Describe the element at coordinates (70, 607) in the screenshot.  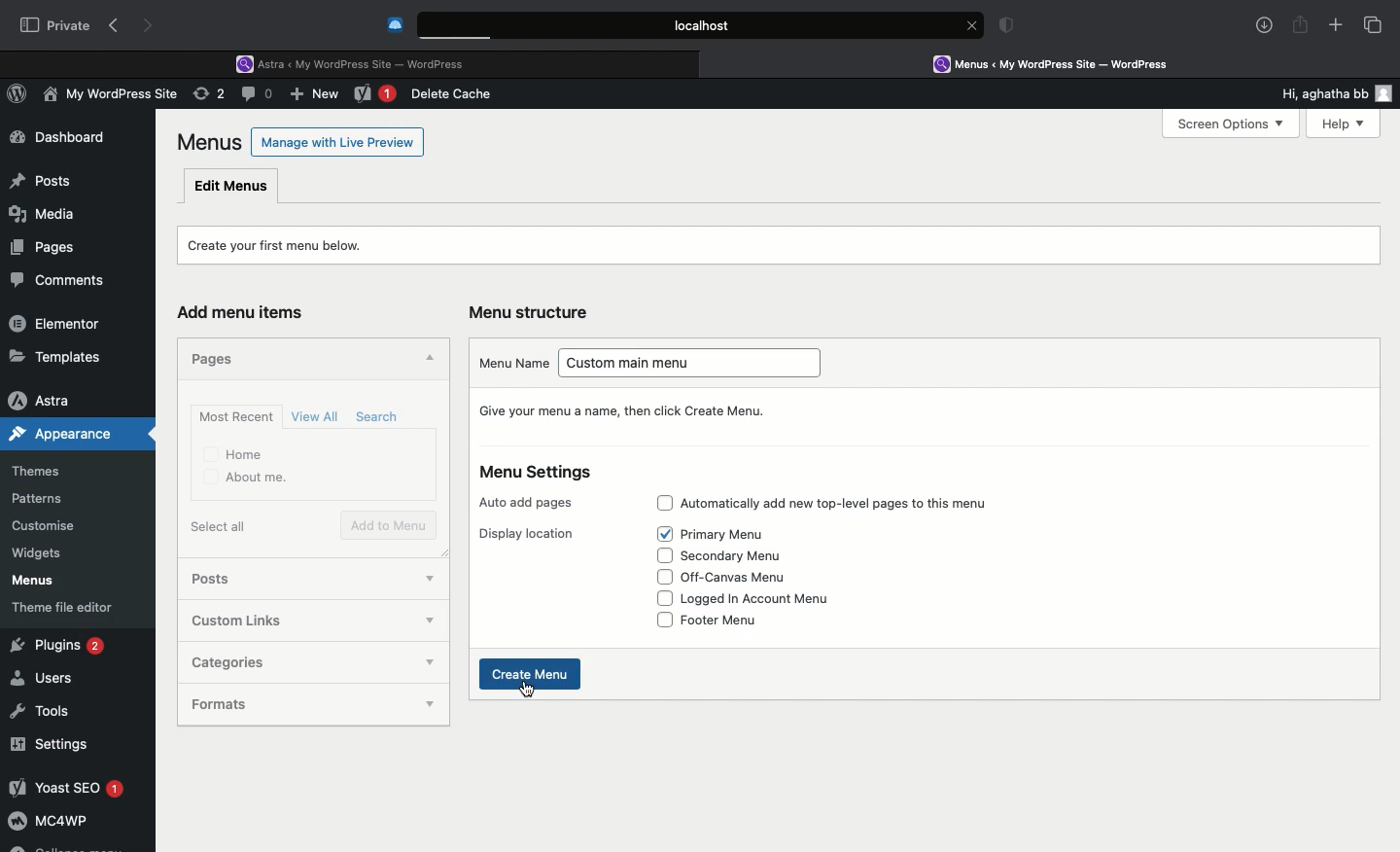
I see `Theme file editor` at that location.